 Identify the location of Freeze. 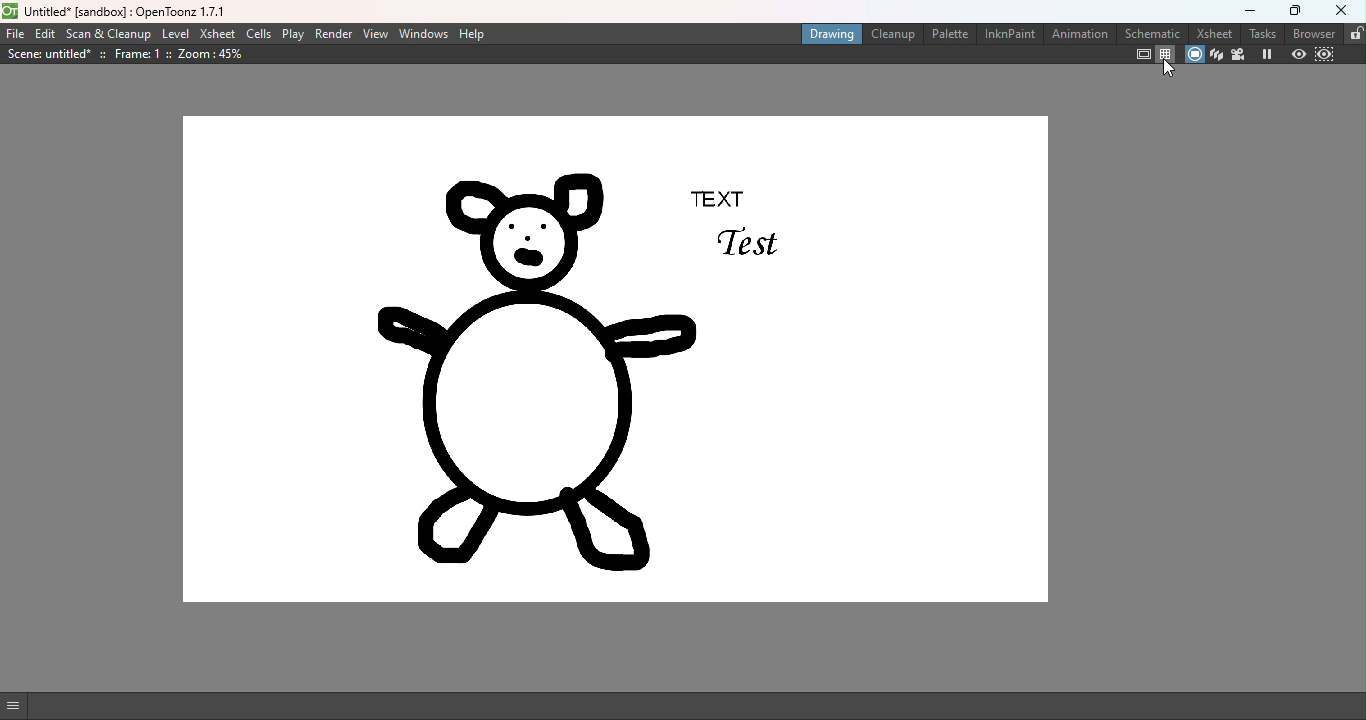
(1263, 54).